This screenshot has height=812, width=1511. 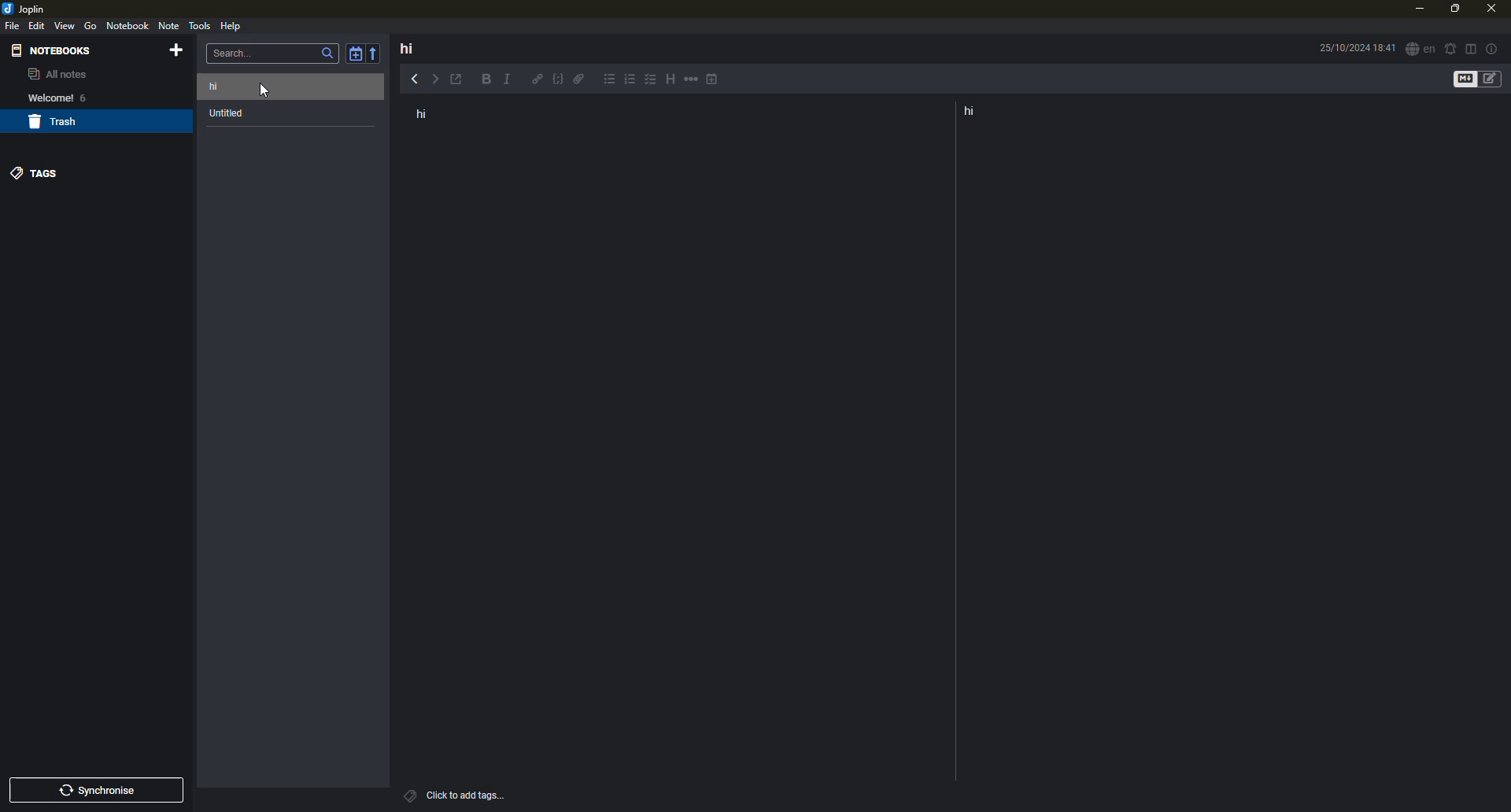 What do you see at coordinates (538, 80) in the screenshot?
I see `hyperlink` at bounding box center [538, 80].